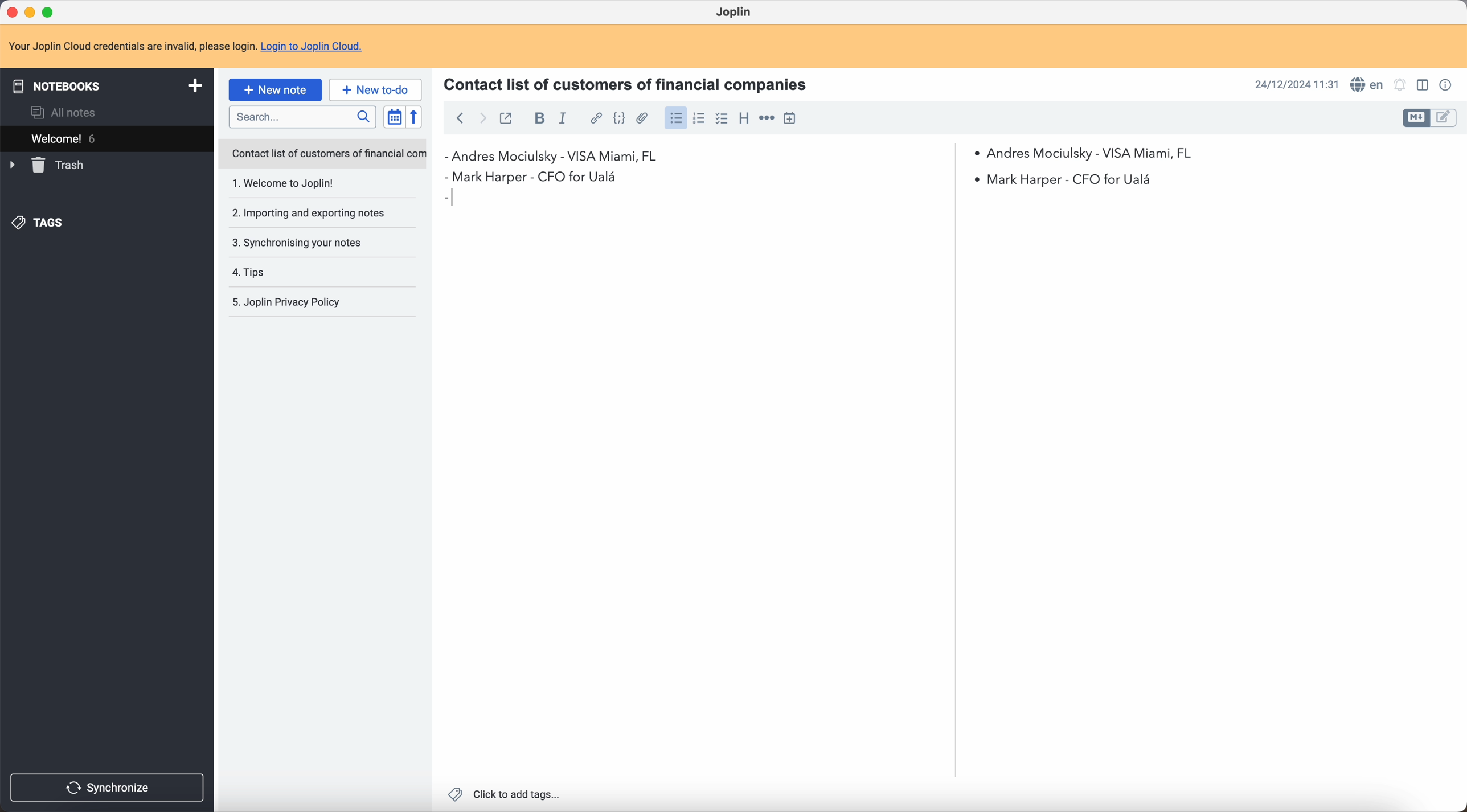 Image resolution: width=1467 pixels, height=812 pixels. I want to click on spell checker, so click(1367, 84).